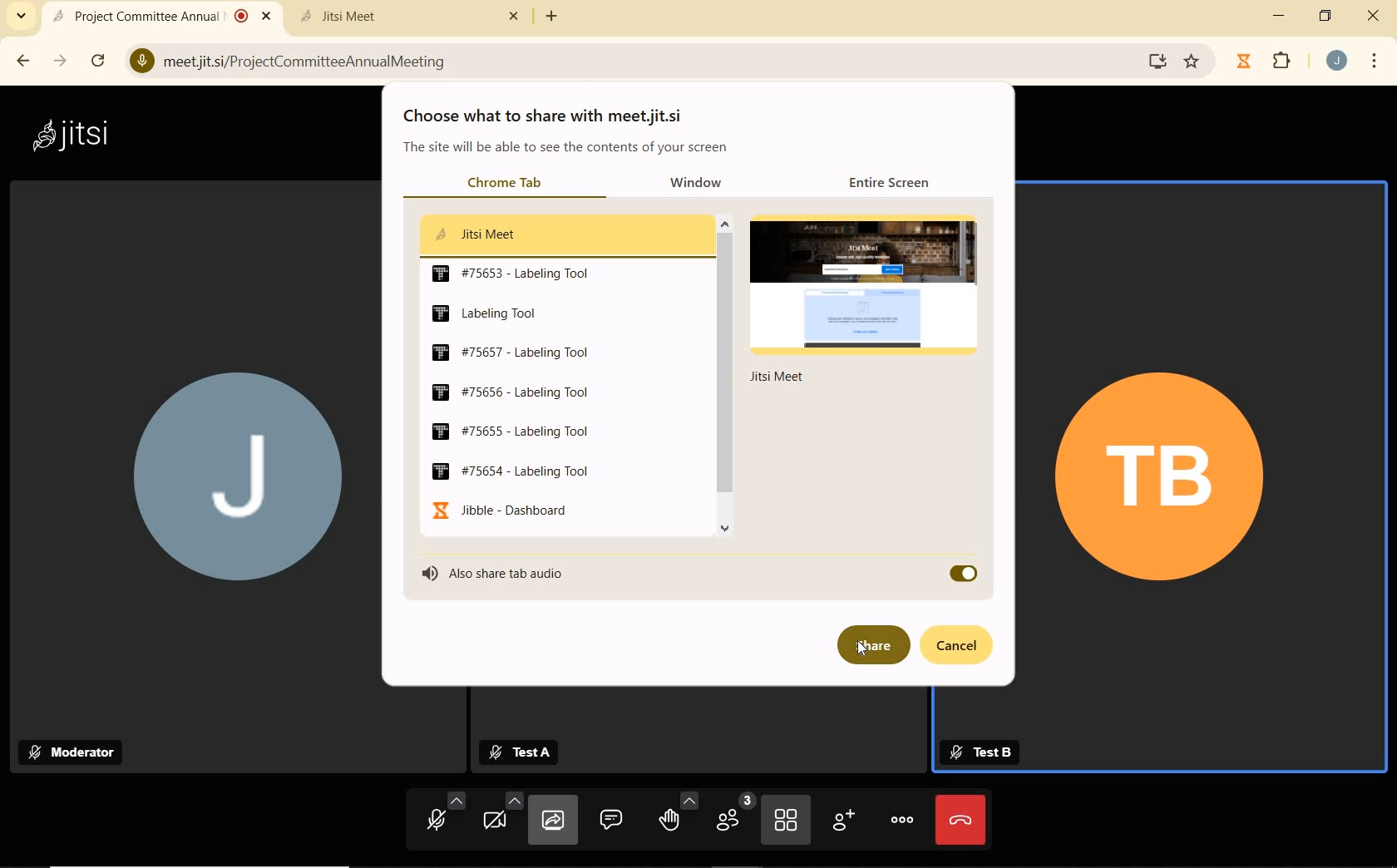  Describe the element at coordinates (705, 184) in the screenshot. I see `WINDOW` at that location.